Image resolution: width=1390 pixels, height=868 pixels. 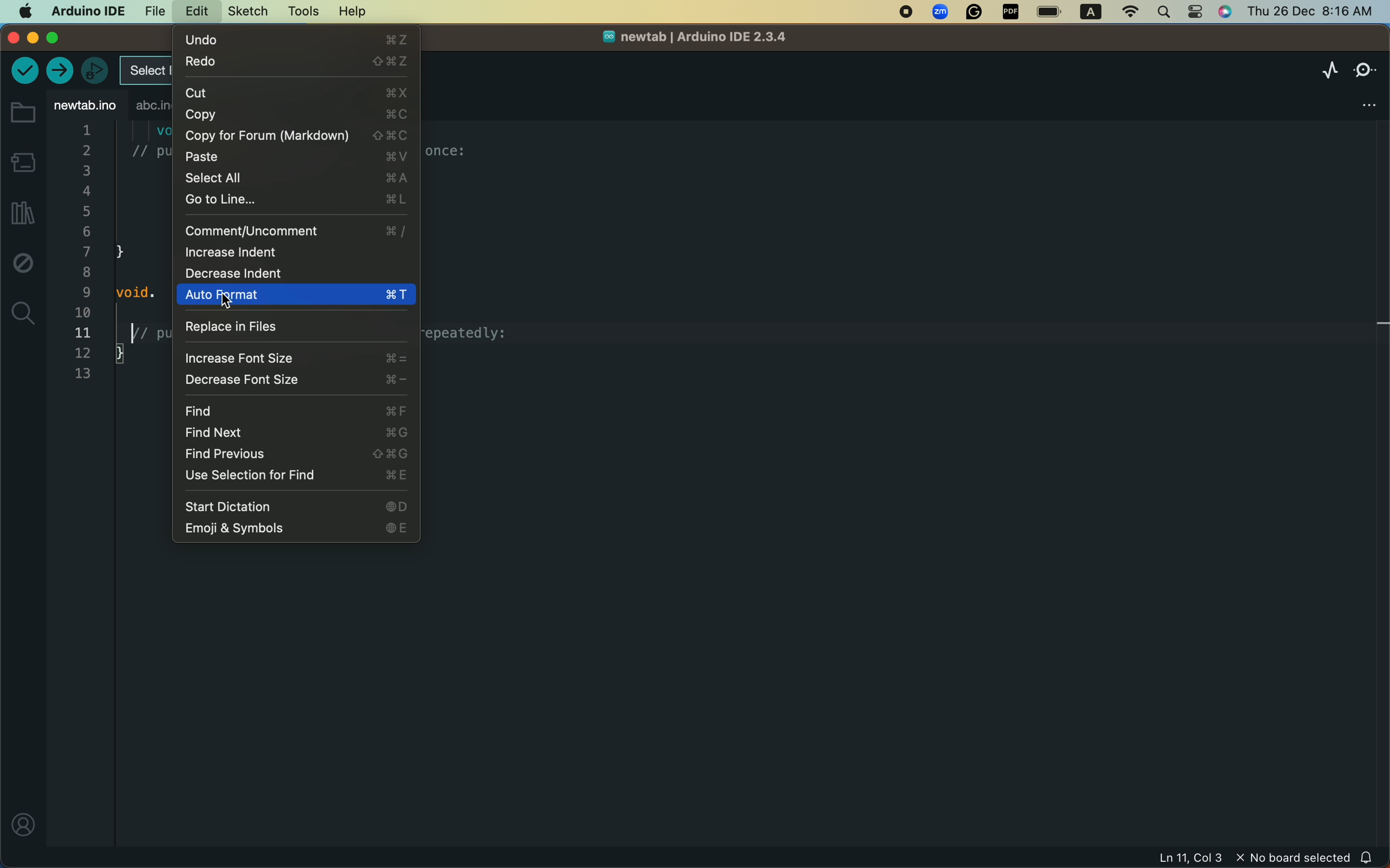 What do you see at coordinates (1050, 12) in the screenshot?
I see `charge` at bounding box center [1050, 12].